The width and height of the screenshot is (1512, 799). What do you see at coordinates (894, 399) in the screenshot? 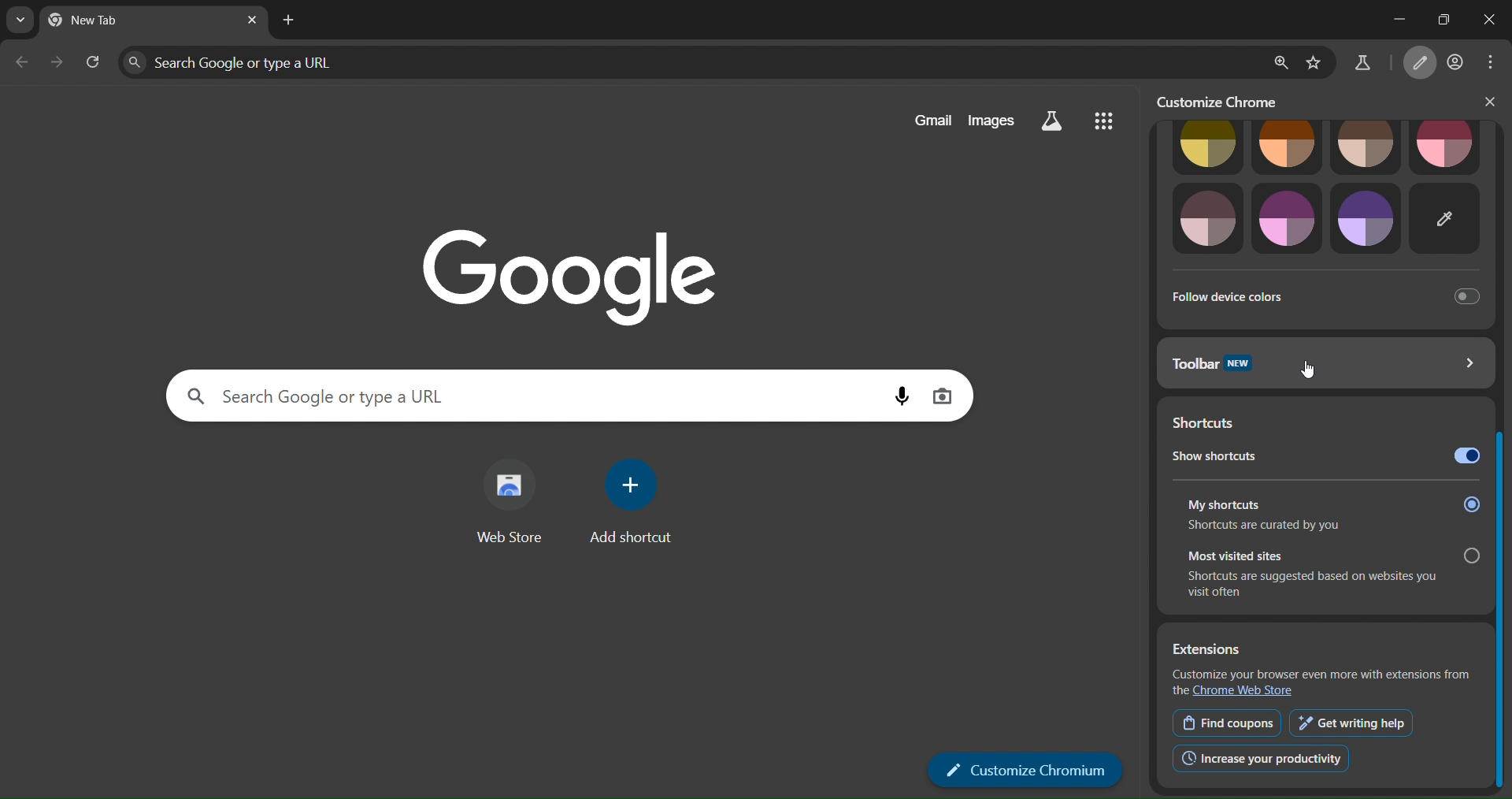
I see `voice search` at bounding box center [894, 399].